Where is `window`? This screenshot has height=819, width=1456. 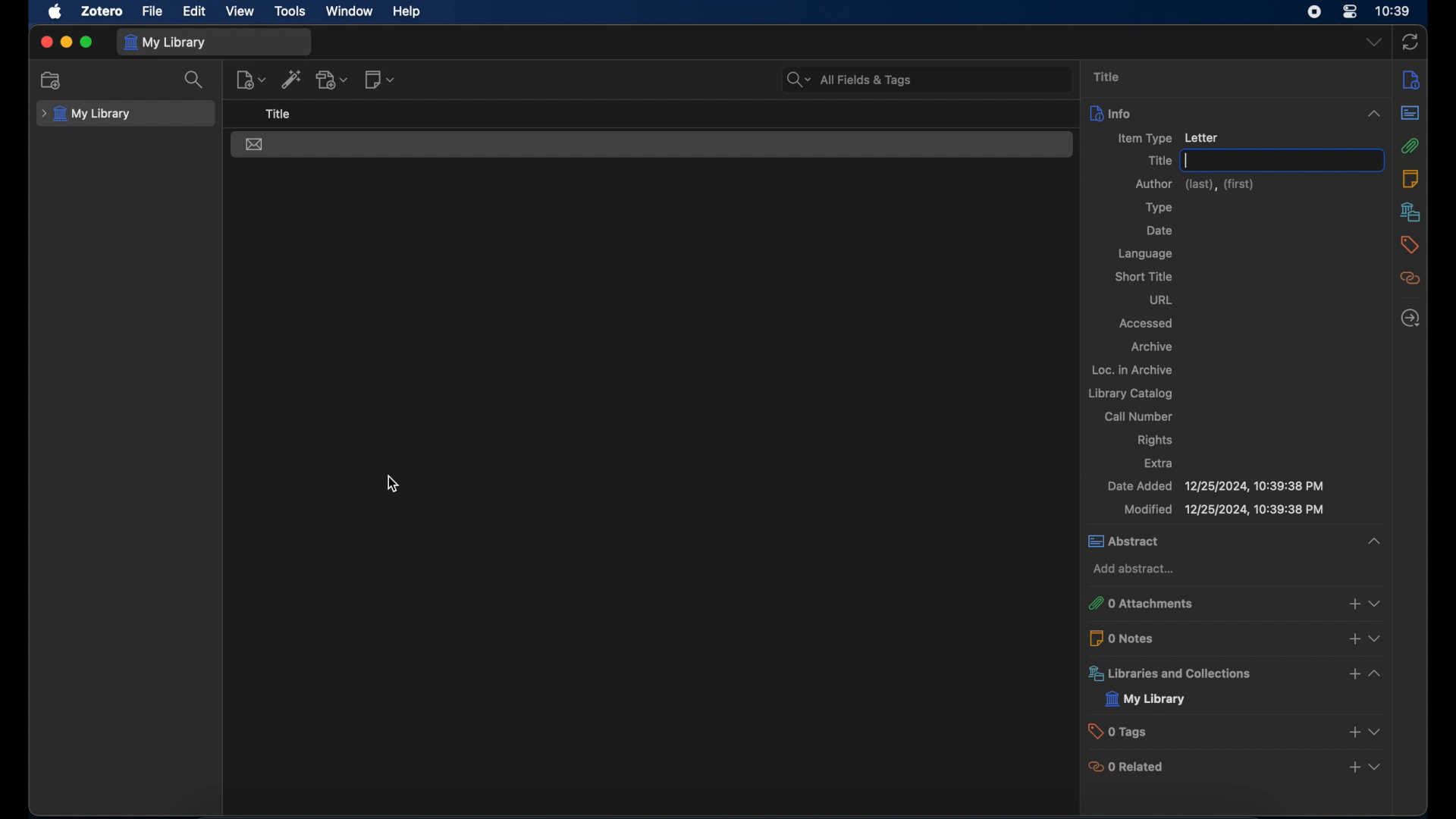 window is located at coordinates (349, 11).